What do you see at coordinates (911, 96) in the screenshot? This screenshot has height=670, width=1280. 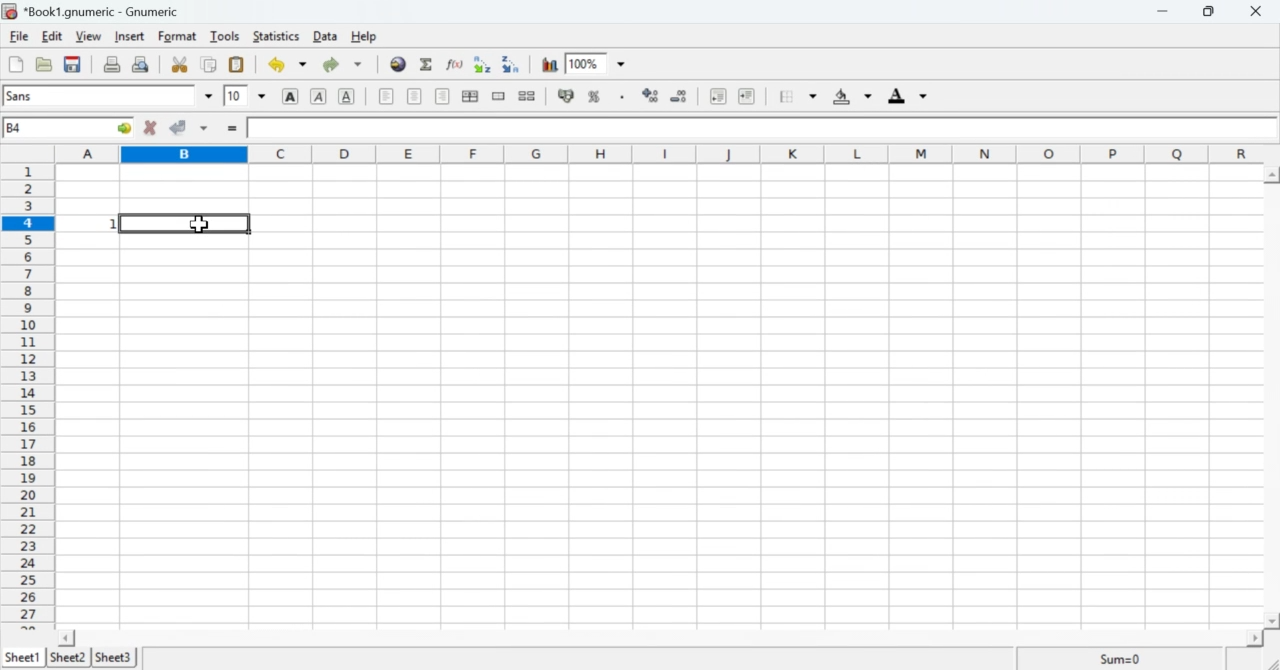 I see `Foreground` at bounding box center [911, 96].